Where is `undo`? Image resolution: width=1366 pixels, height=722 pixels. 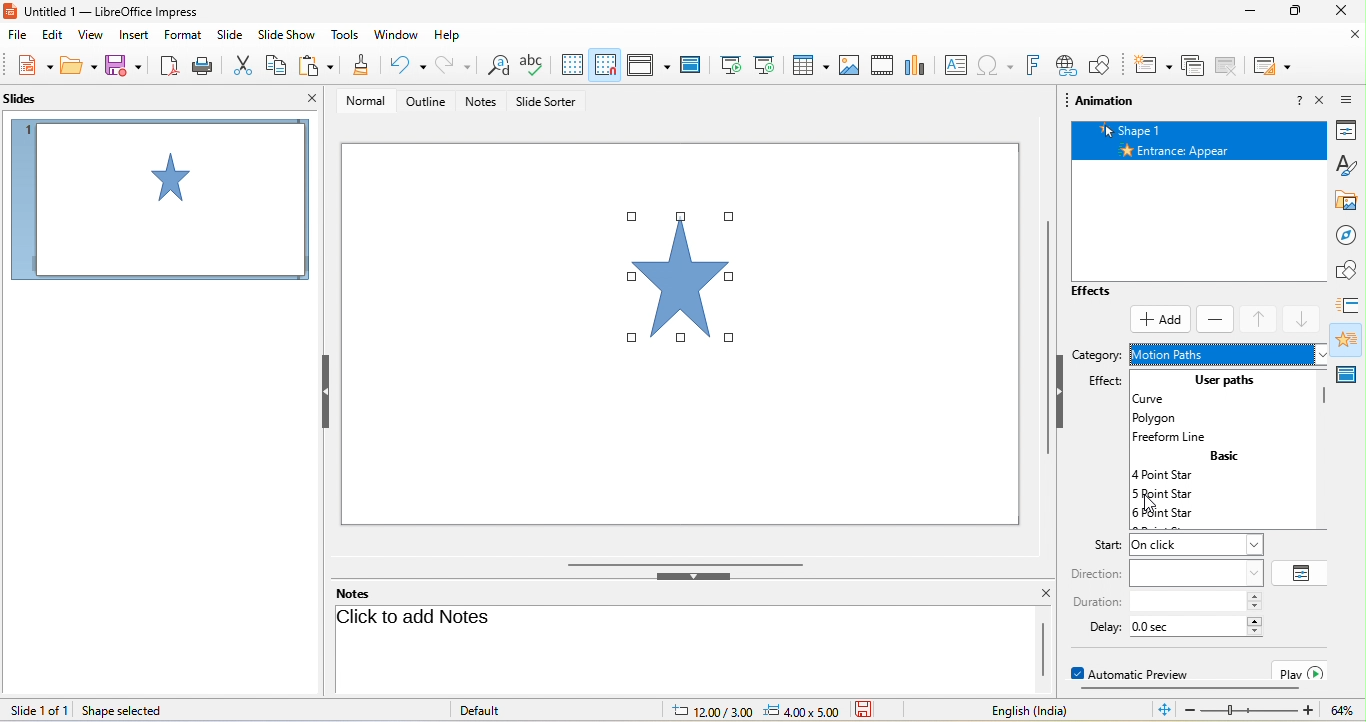
undo is located at coordinates (403, 65).